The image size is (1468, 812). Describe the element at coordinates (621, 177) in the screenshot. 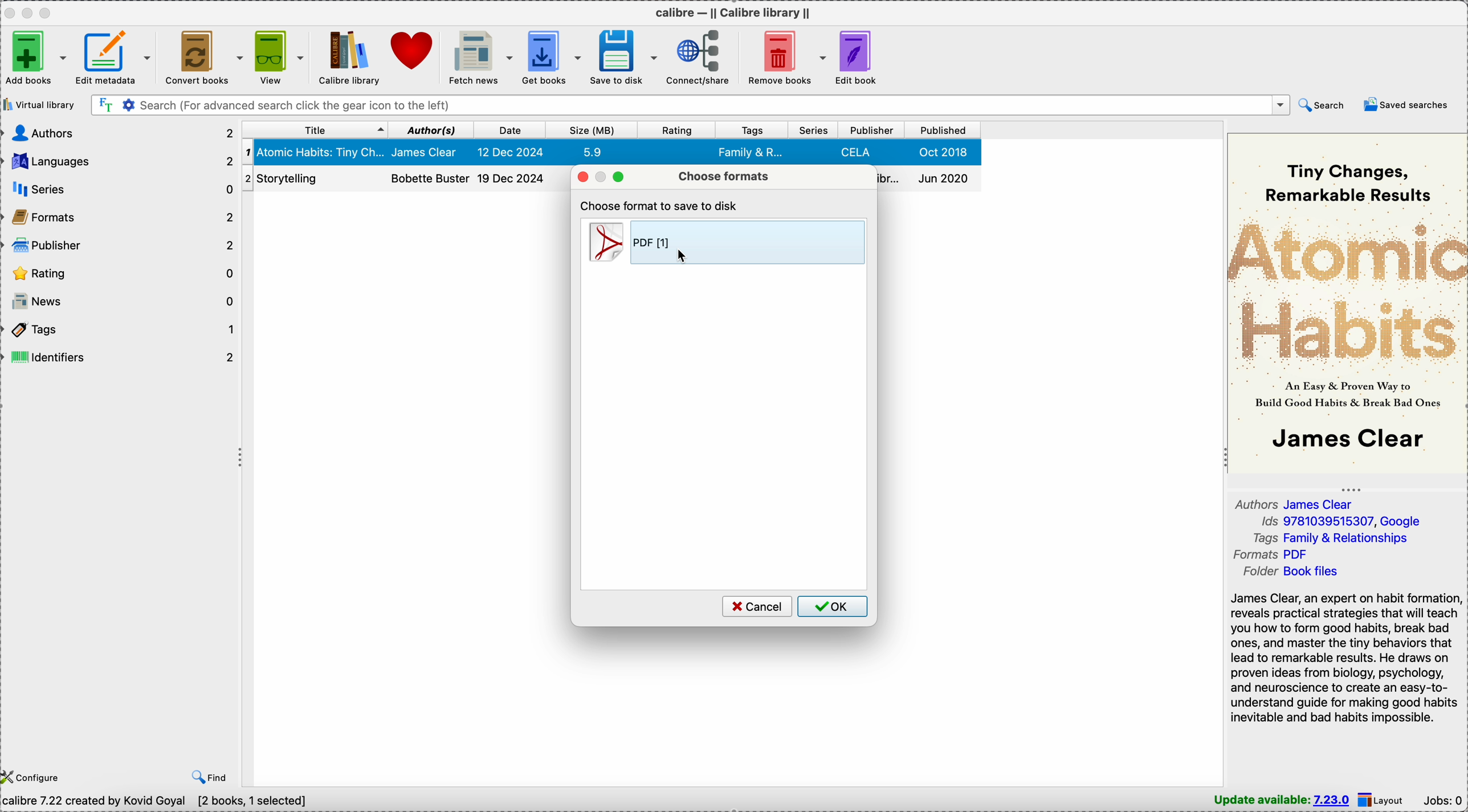

I see `maximize popup` at that location.